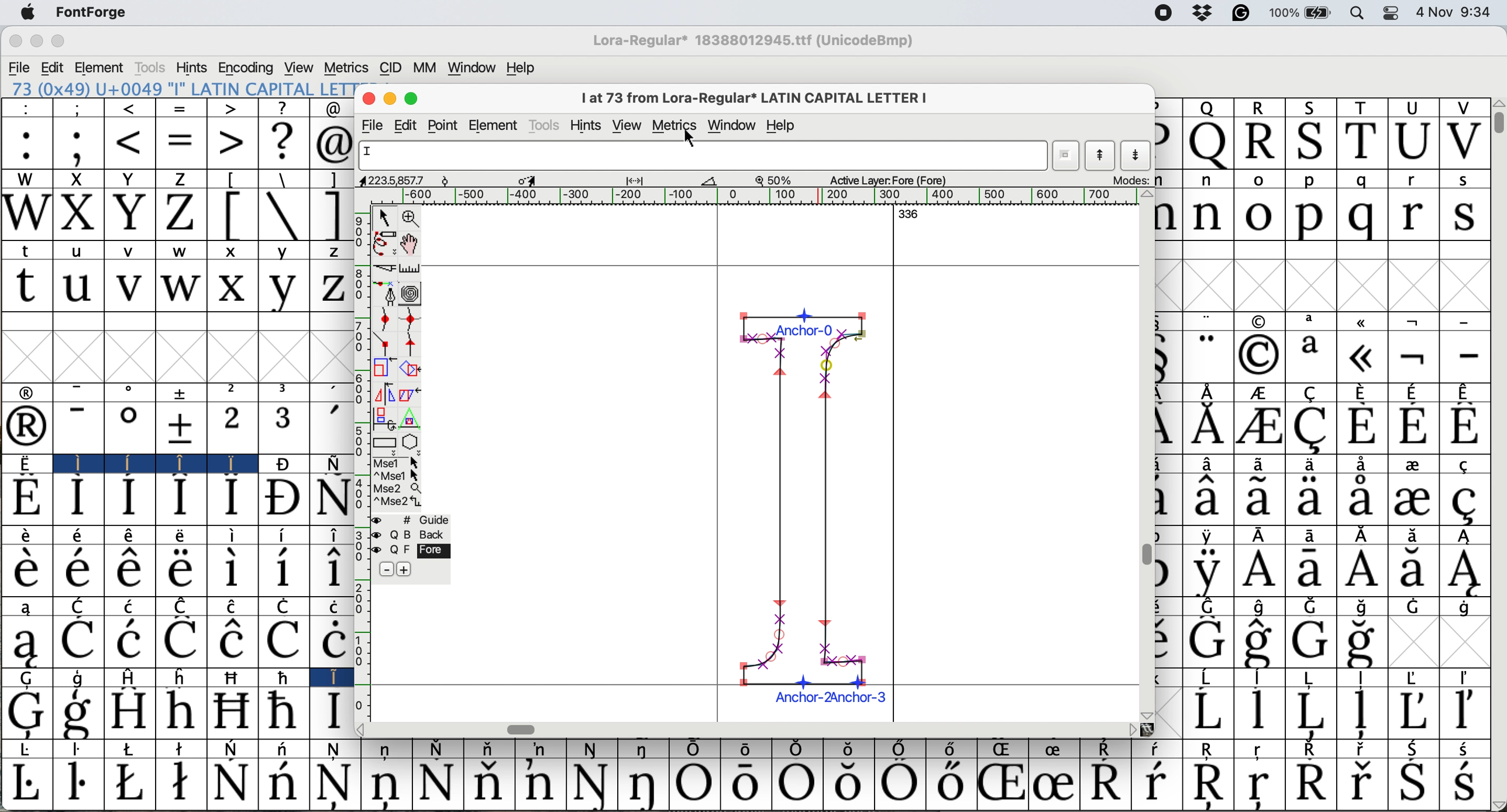  Describe the element at coordinates (132, 749) in the screenshot. I see `Symbol` at that location.